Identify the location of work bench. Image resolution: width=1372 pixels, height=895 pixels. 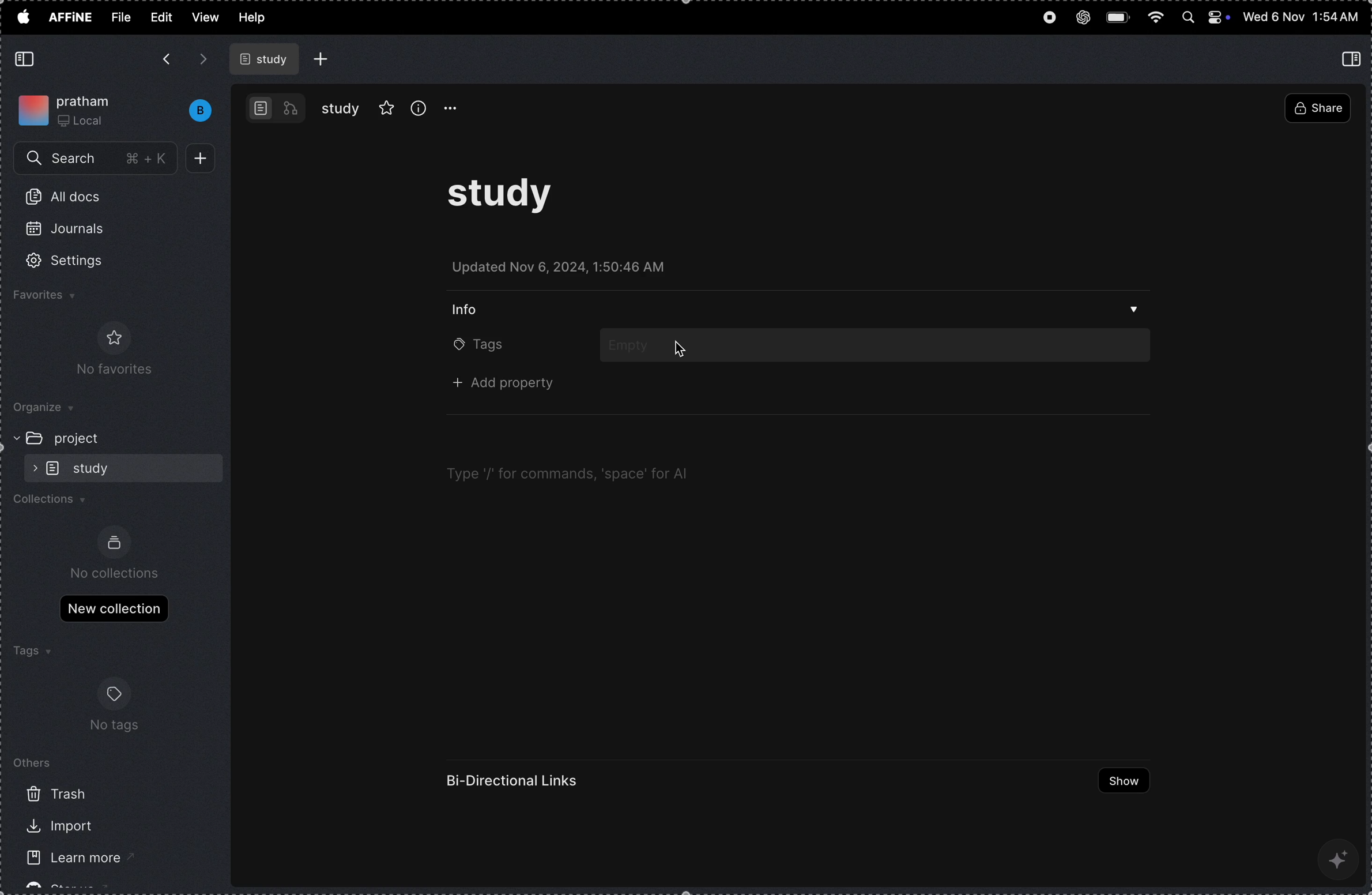
(276, 107).